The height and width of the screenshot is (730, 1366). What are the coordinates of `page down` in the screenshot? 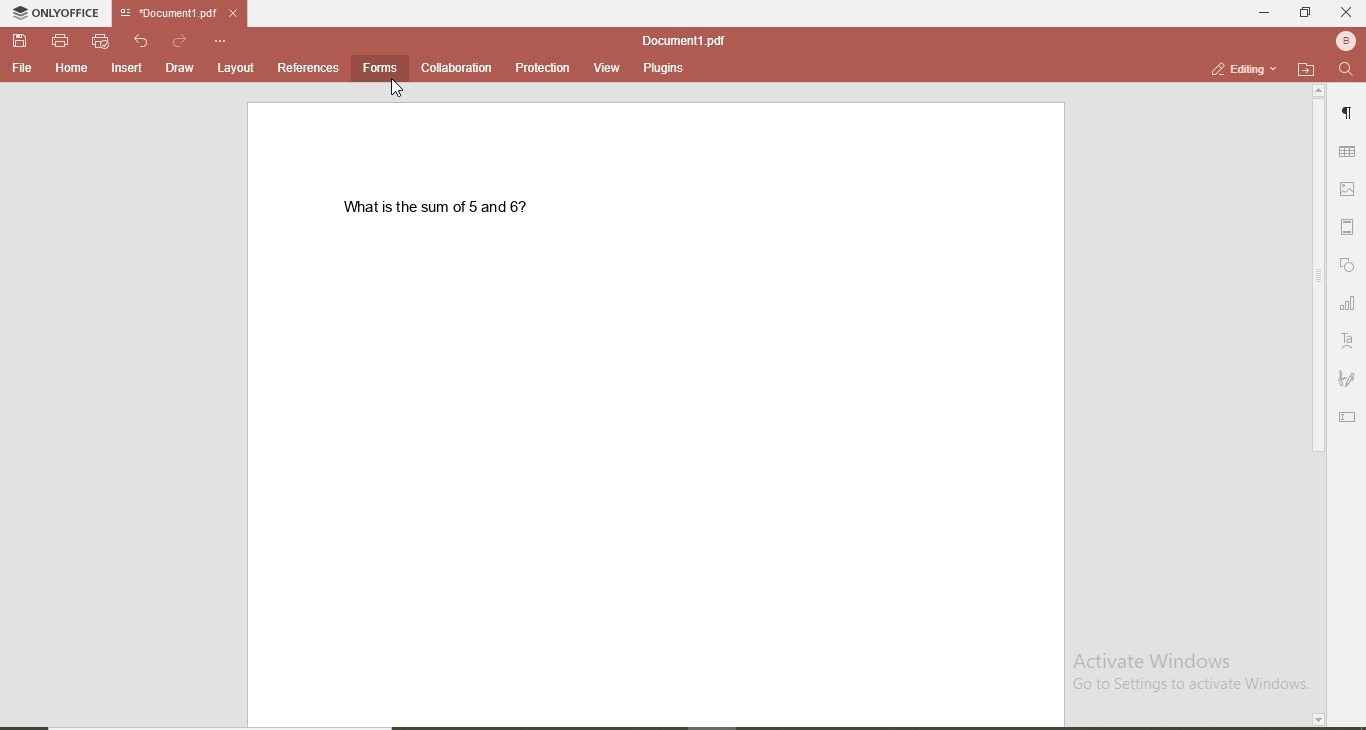 It's located at (1317, 719).